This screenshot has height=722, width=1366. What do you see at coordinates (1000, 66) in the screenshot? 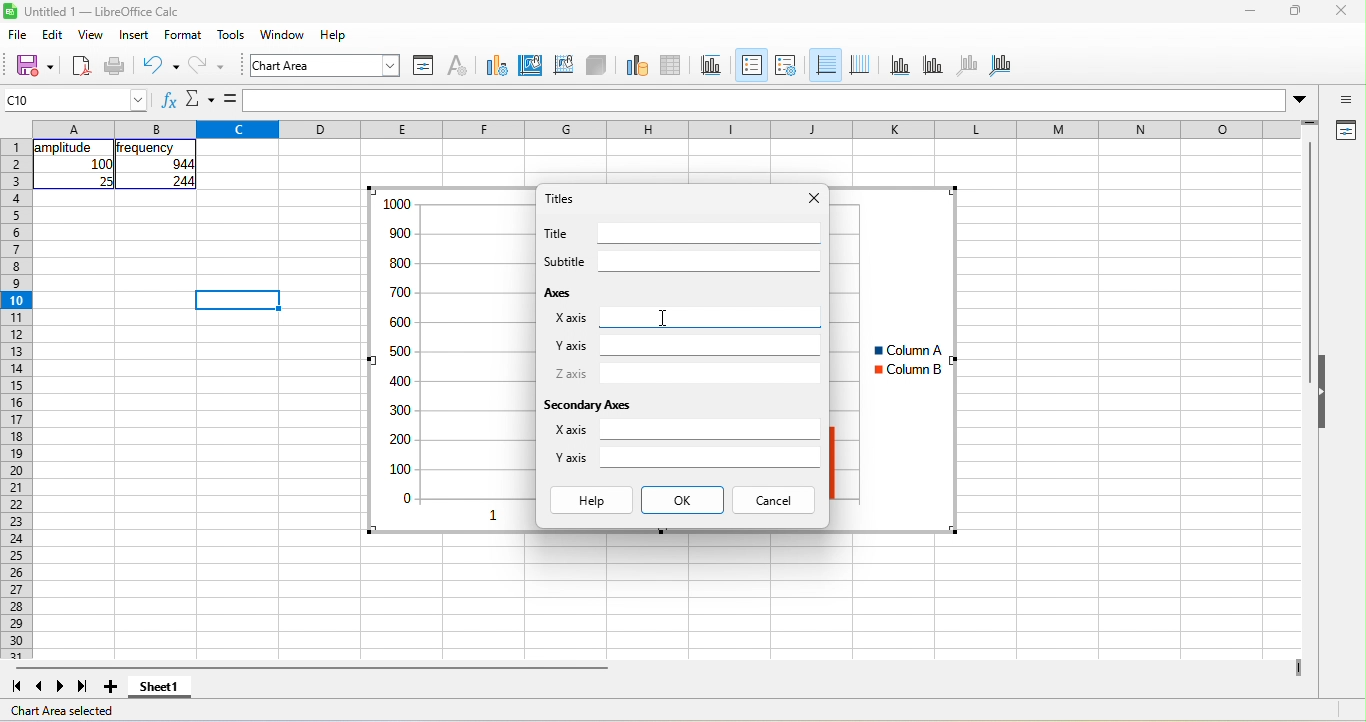
I see `all aaxes` at bounding box center [1000, 66].